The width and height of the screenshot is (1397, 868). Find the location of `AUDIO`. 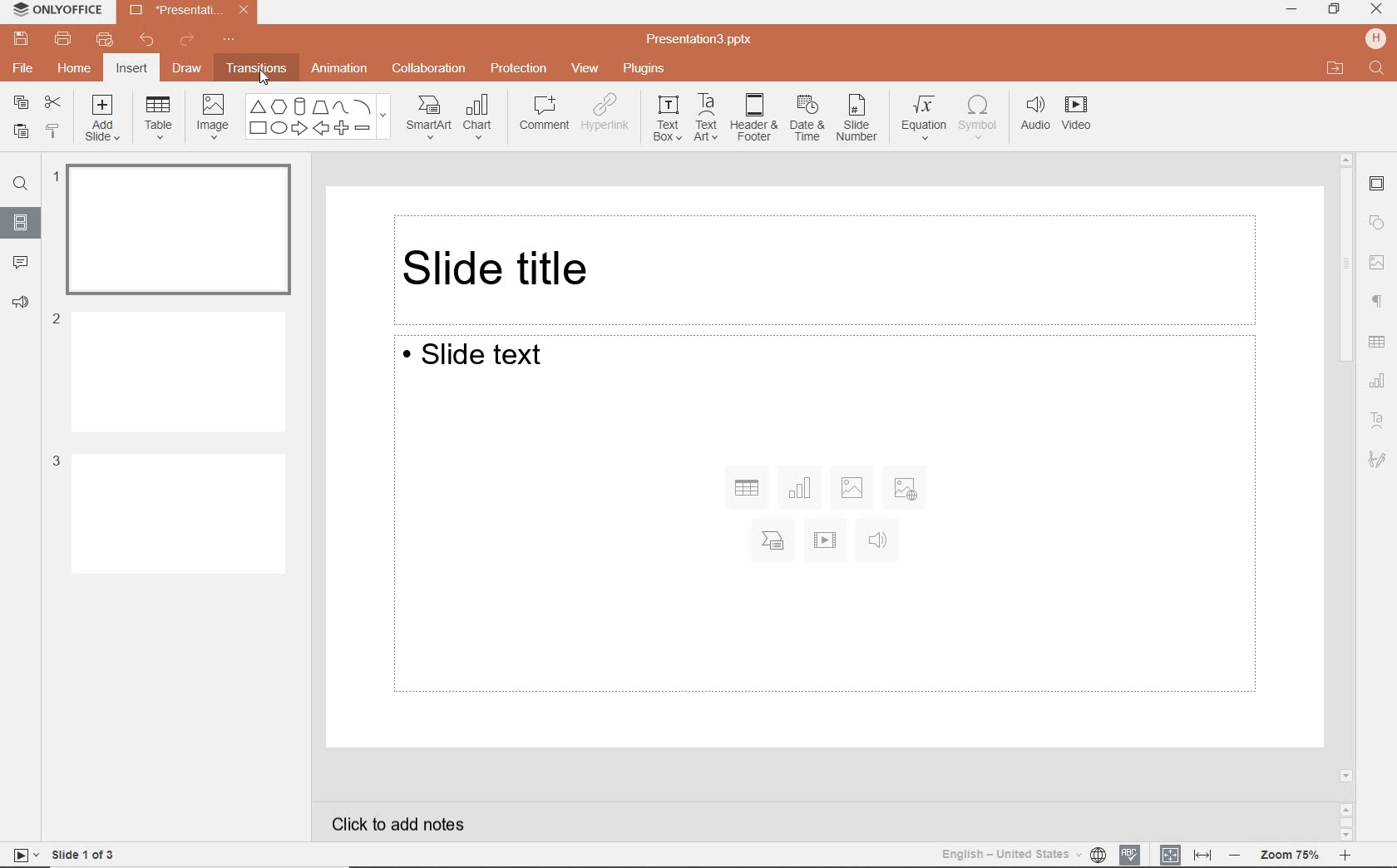

AUDIO is located at coordinates (1033, 115).